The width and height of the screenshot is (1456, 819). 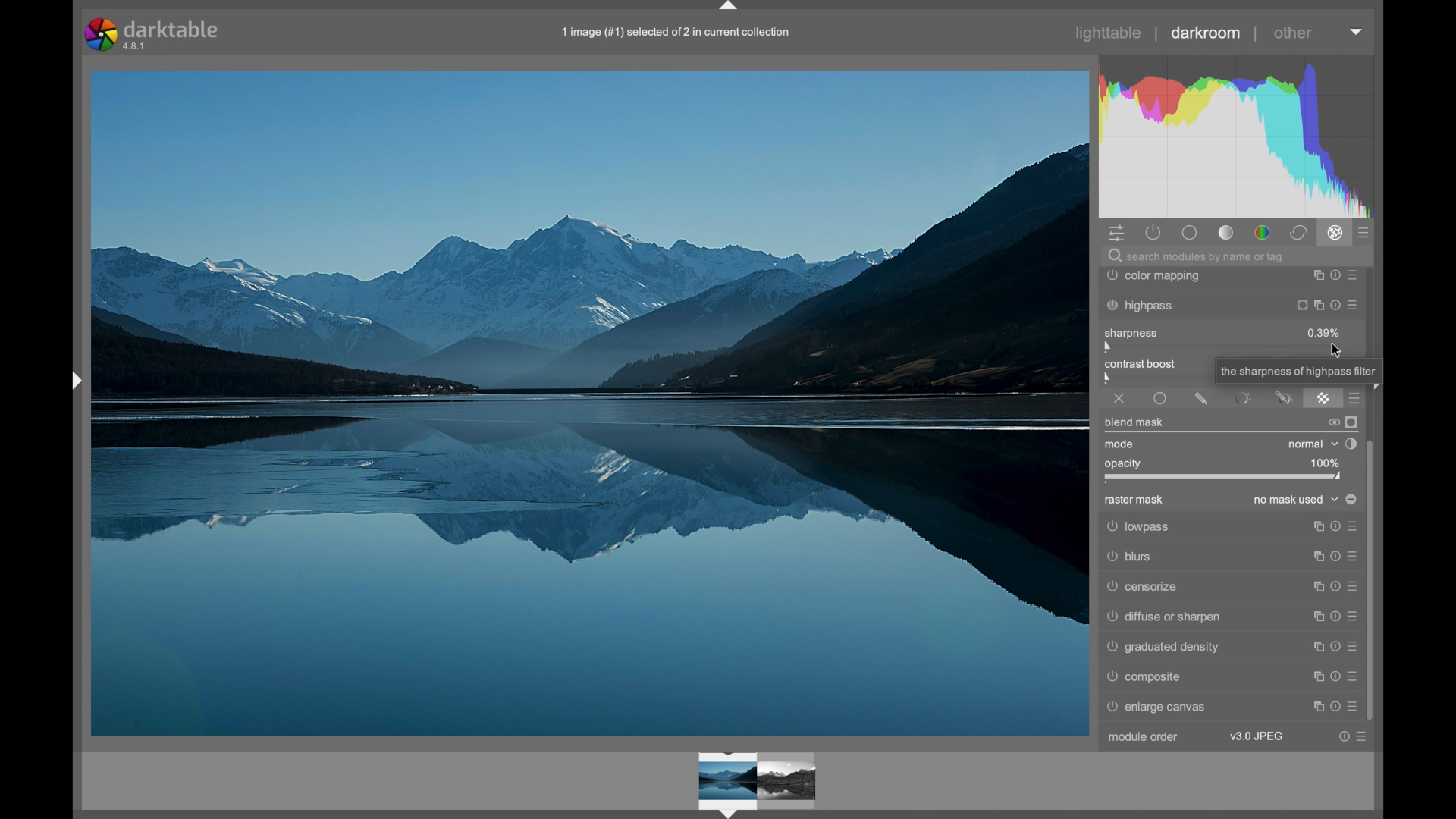 What do you see at coordinates (1134, 500) in the screenshot?
I see `raster mask` at bounding box center [1134, 500].